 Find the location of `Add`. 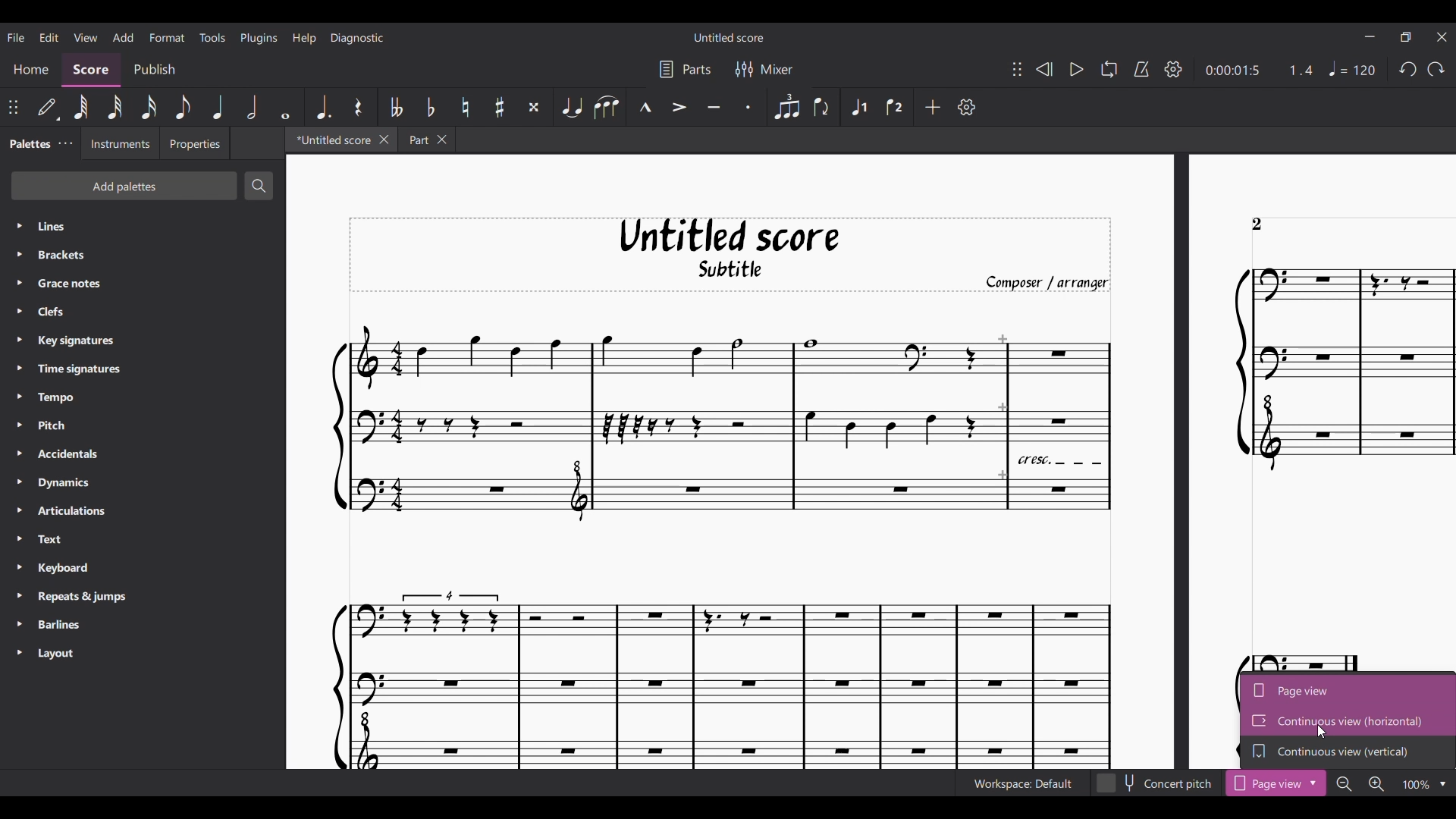

Add is located at coordinates (934, 107).